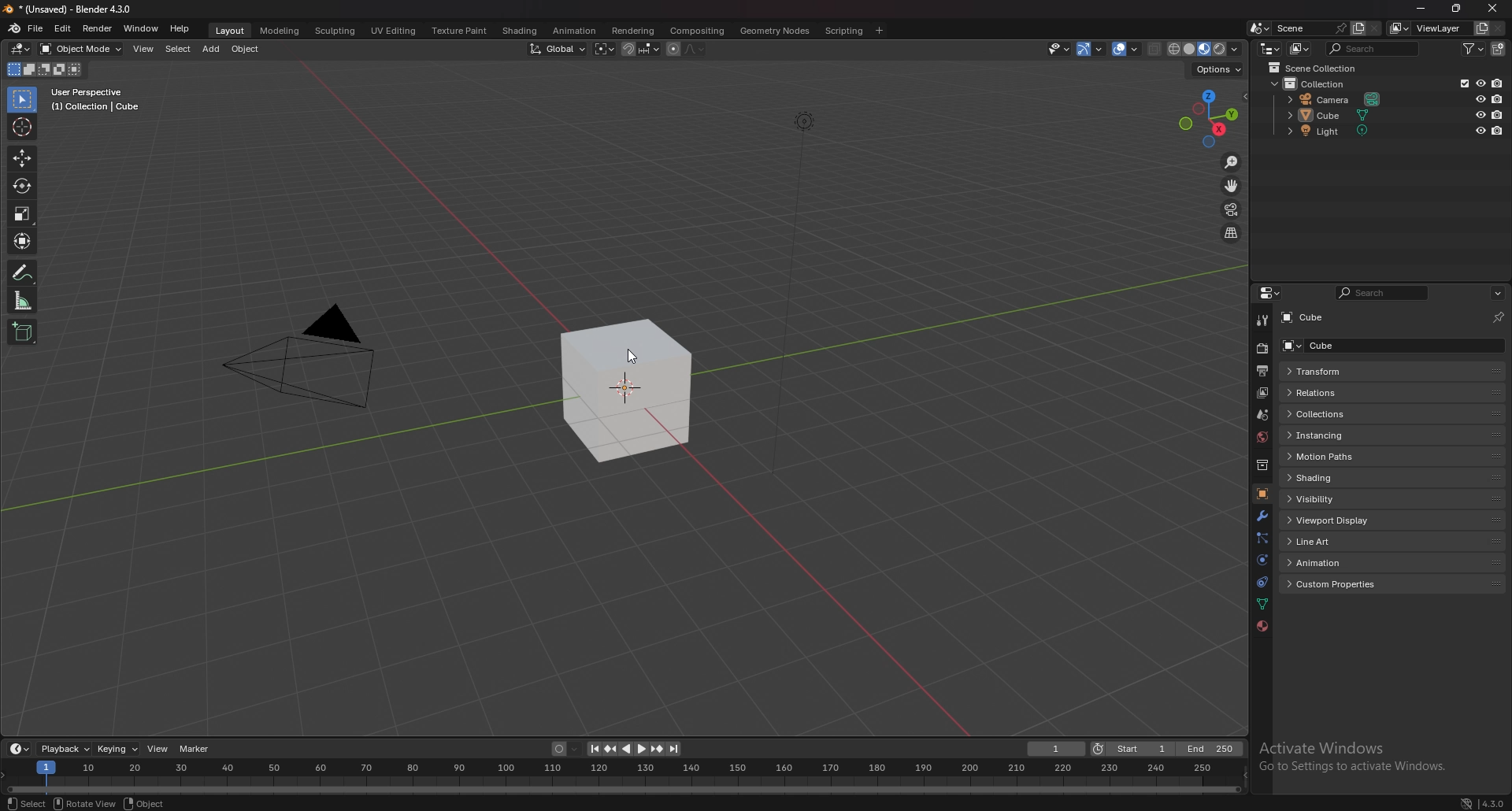 The image size is (1512, 811). What do you see at coordinates (604, 49) in the screenshot?
I see `transform pivot point` at bounding box center [604, 49].